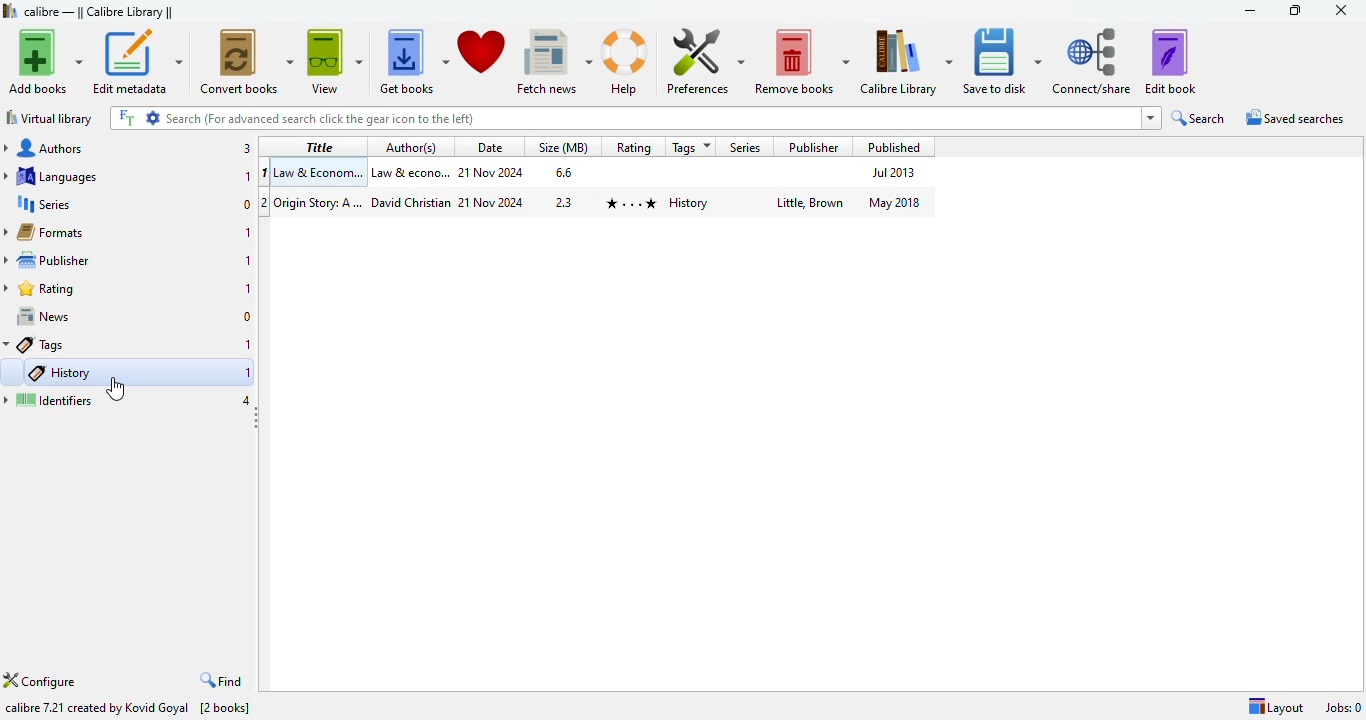 The width and height of the screenshot is (1366, 720). I want to click on 1, so click(246, 177).